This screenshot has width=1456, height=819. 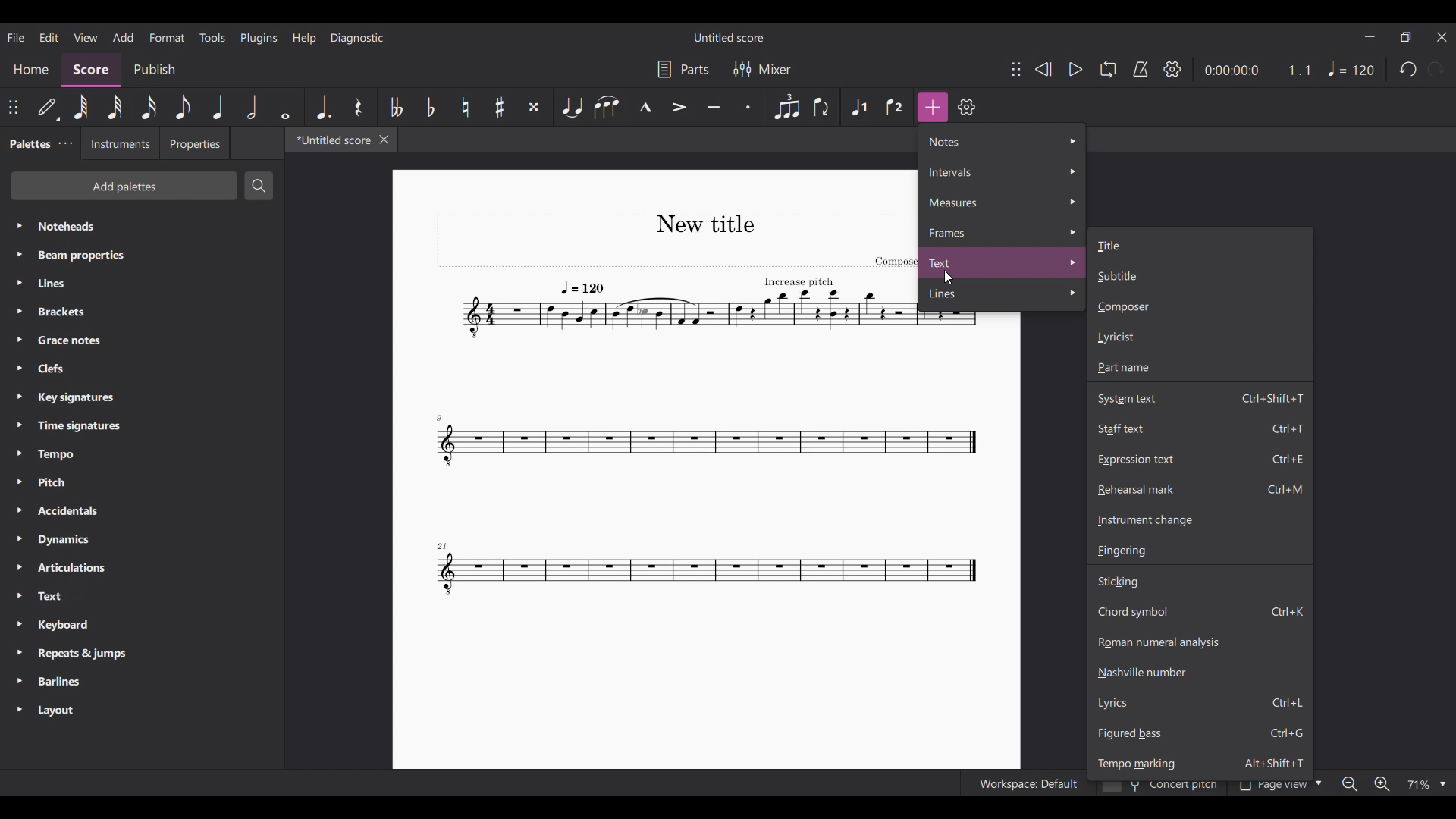 What do you see at coordinates (1436, 69) in the screenshot?
I see `Redo` at bounding box center [1436, 69].